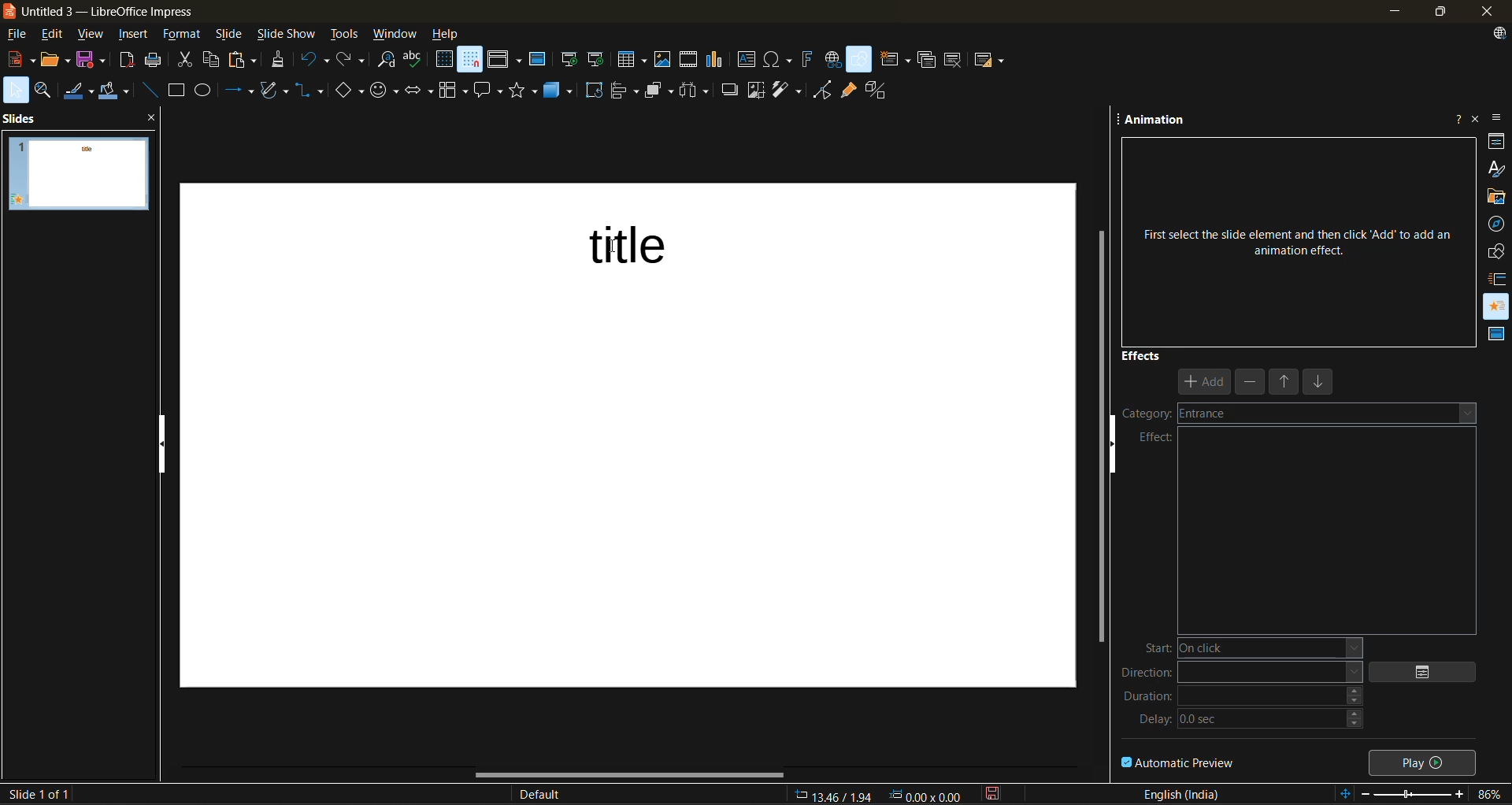 The image size is (1512, 805). I want to click on zoom and pan, so click(46, 91).